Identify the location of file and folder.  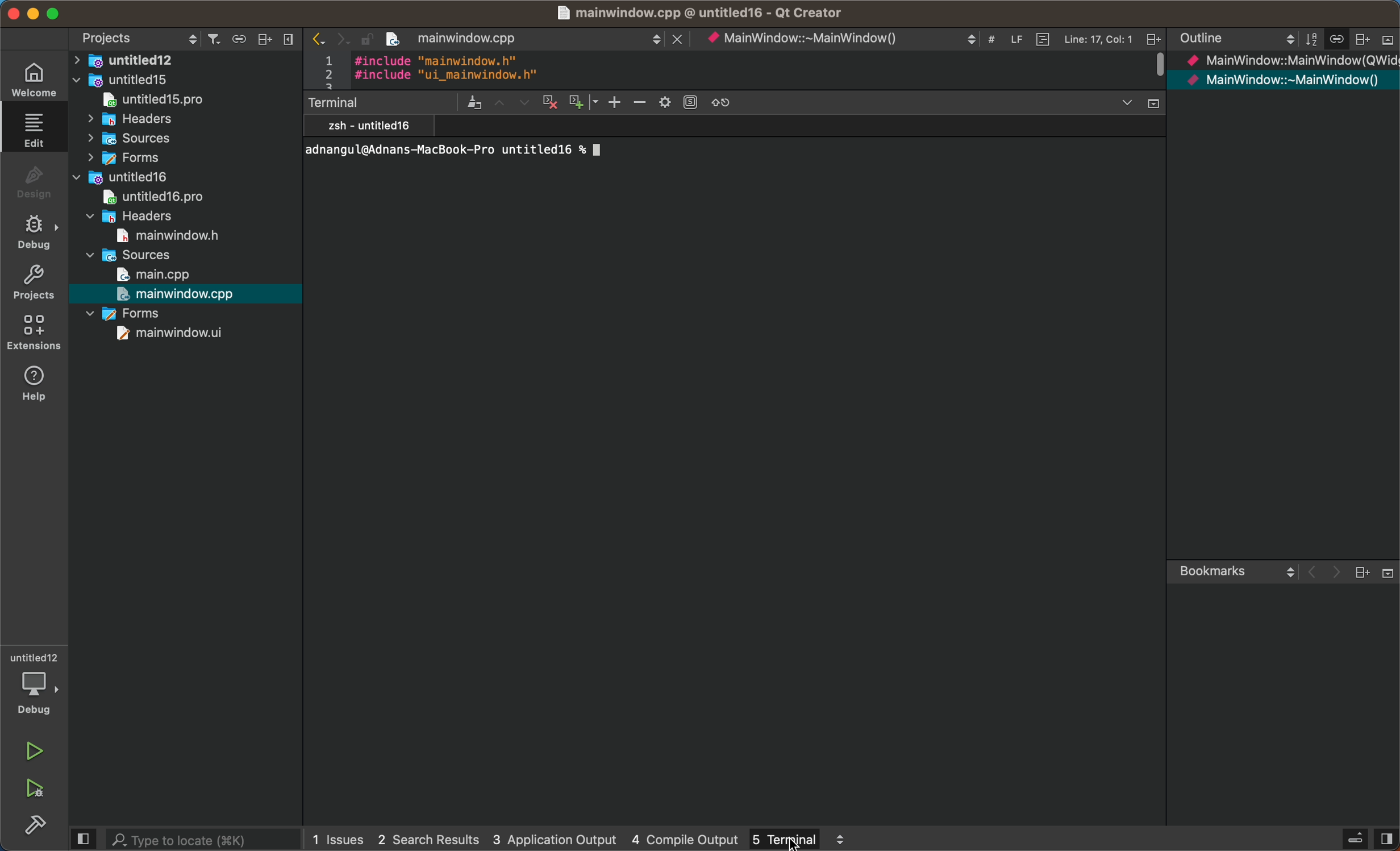
(131, 313).